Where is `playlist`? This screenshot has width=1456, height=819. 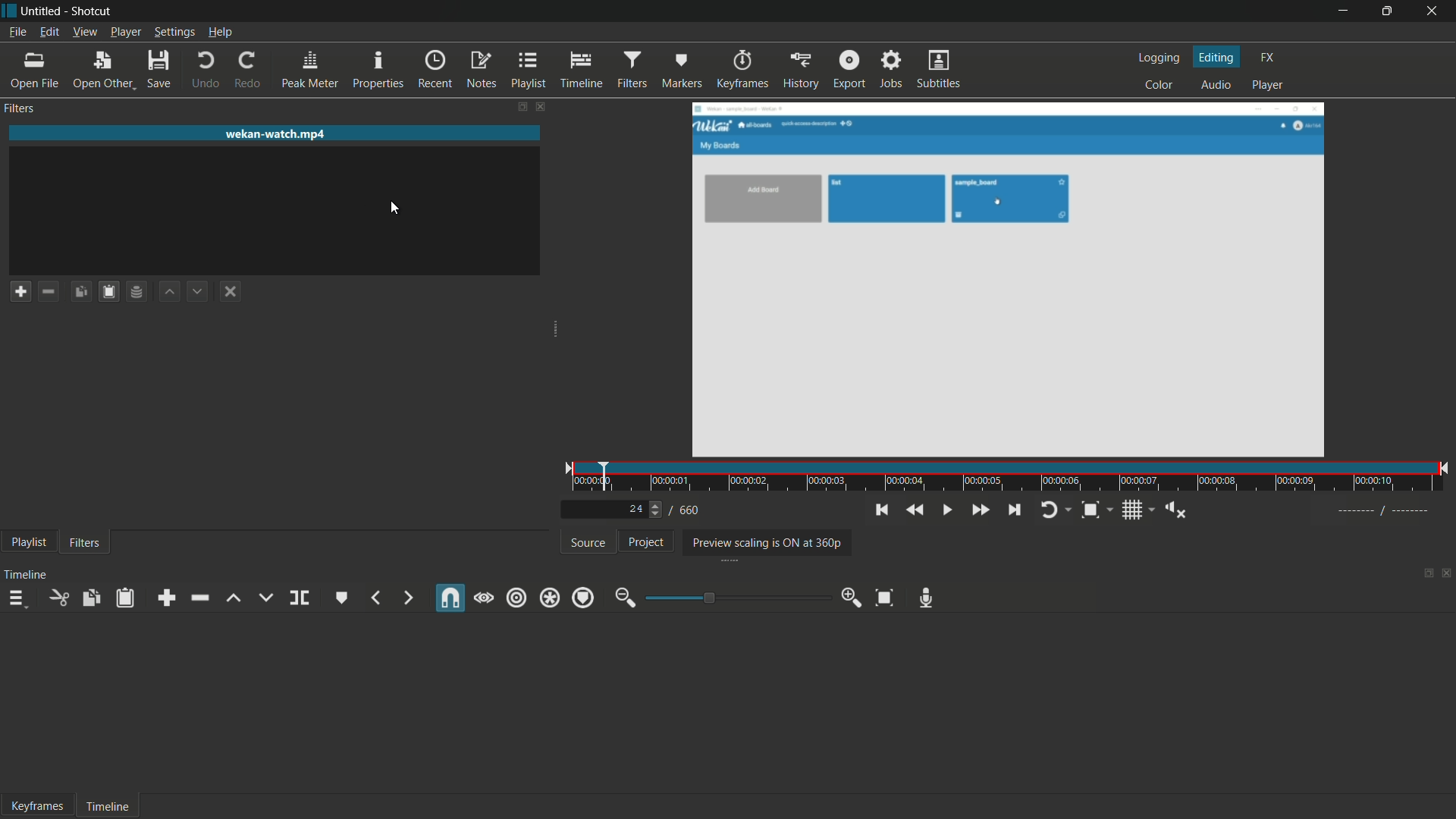 playlist is located at coordinates (529, 70).